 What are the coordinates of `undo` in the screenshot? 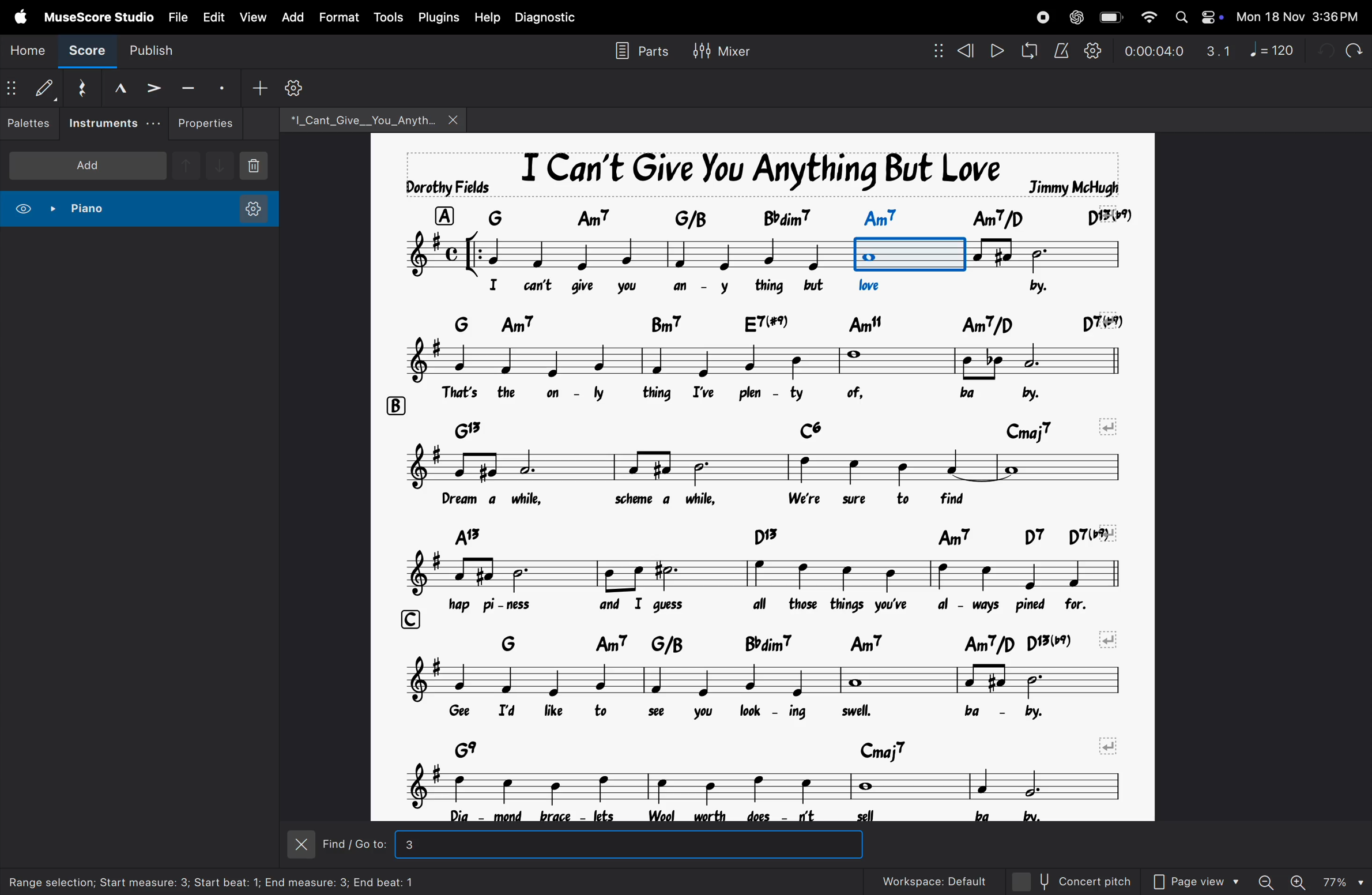 It's located at (1317, 51).